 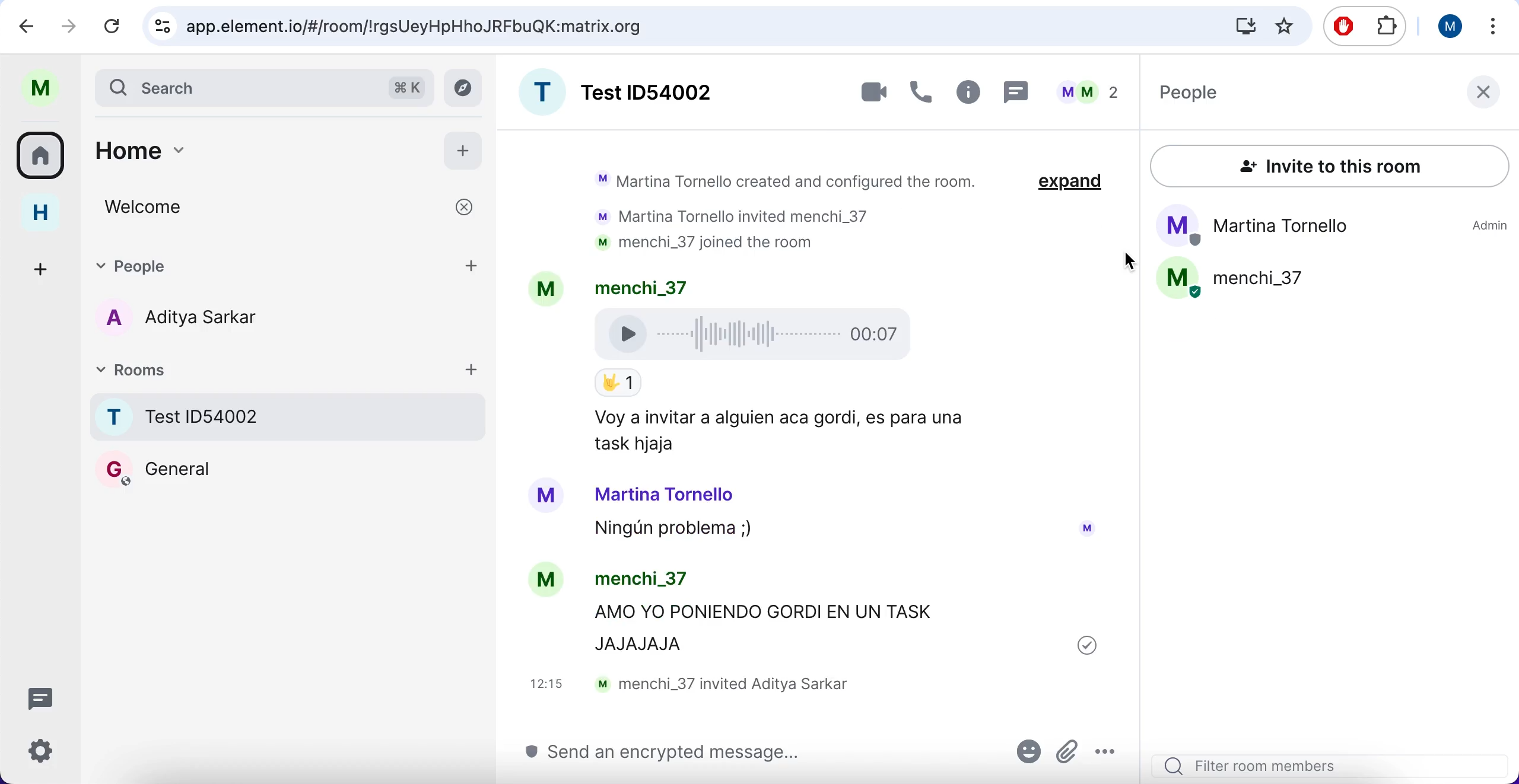 What do you see at coordinates (641, 91) in the screenshot?
I see `room name` at bounding box center [641, 91].